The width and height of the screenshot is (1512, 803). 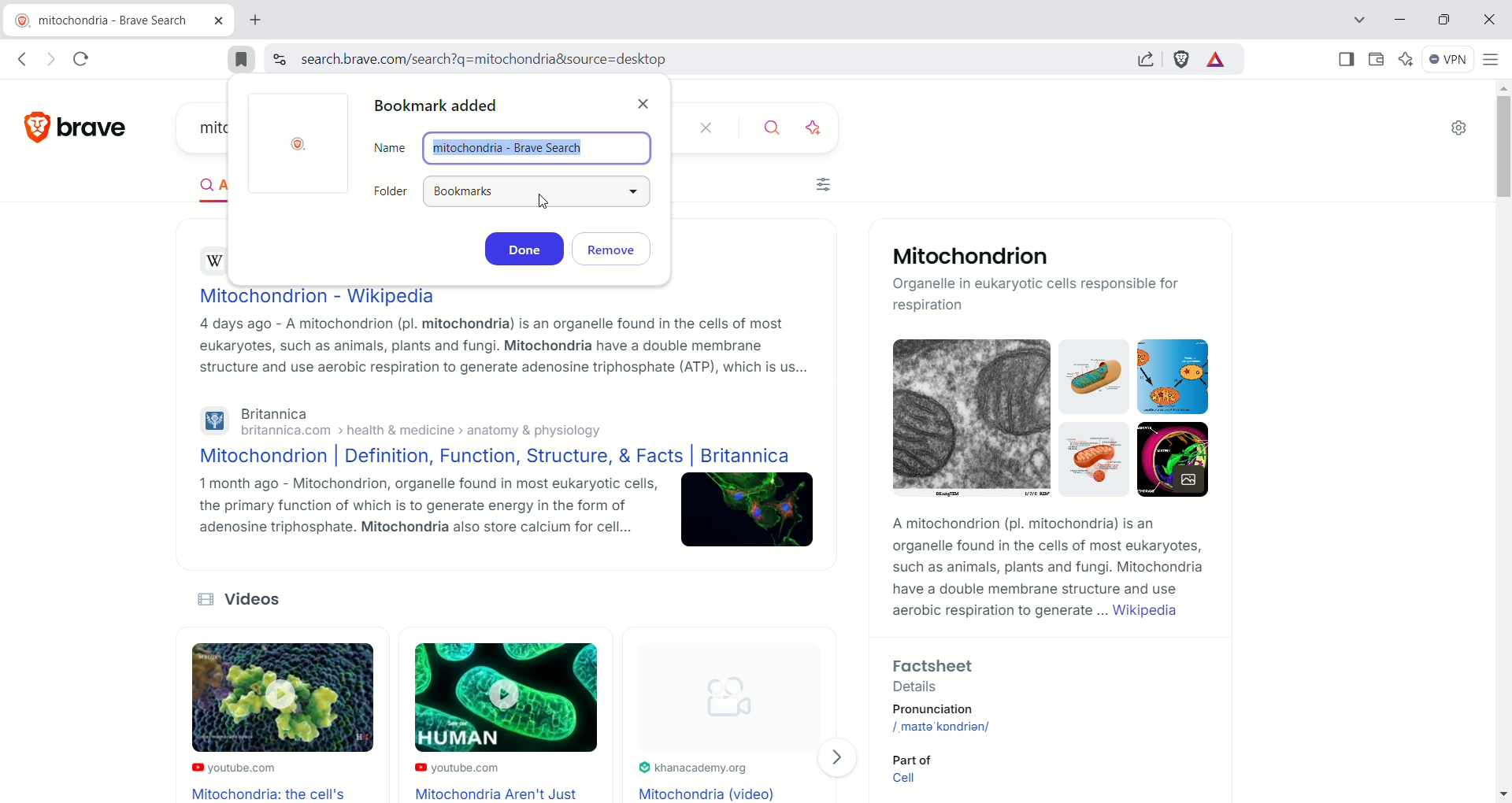 What do you see at coordinates (524, 248) in the screenshot?
I see `done` at bounding box center [524, 248].